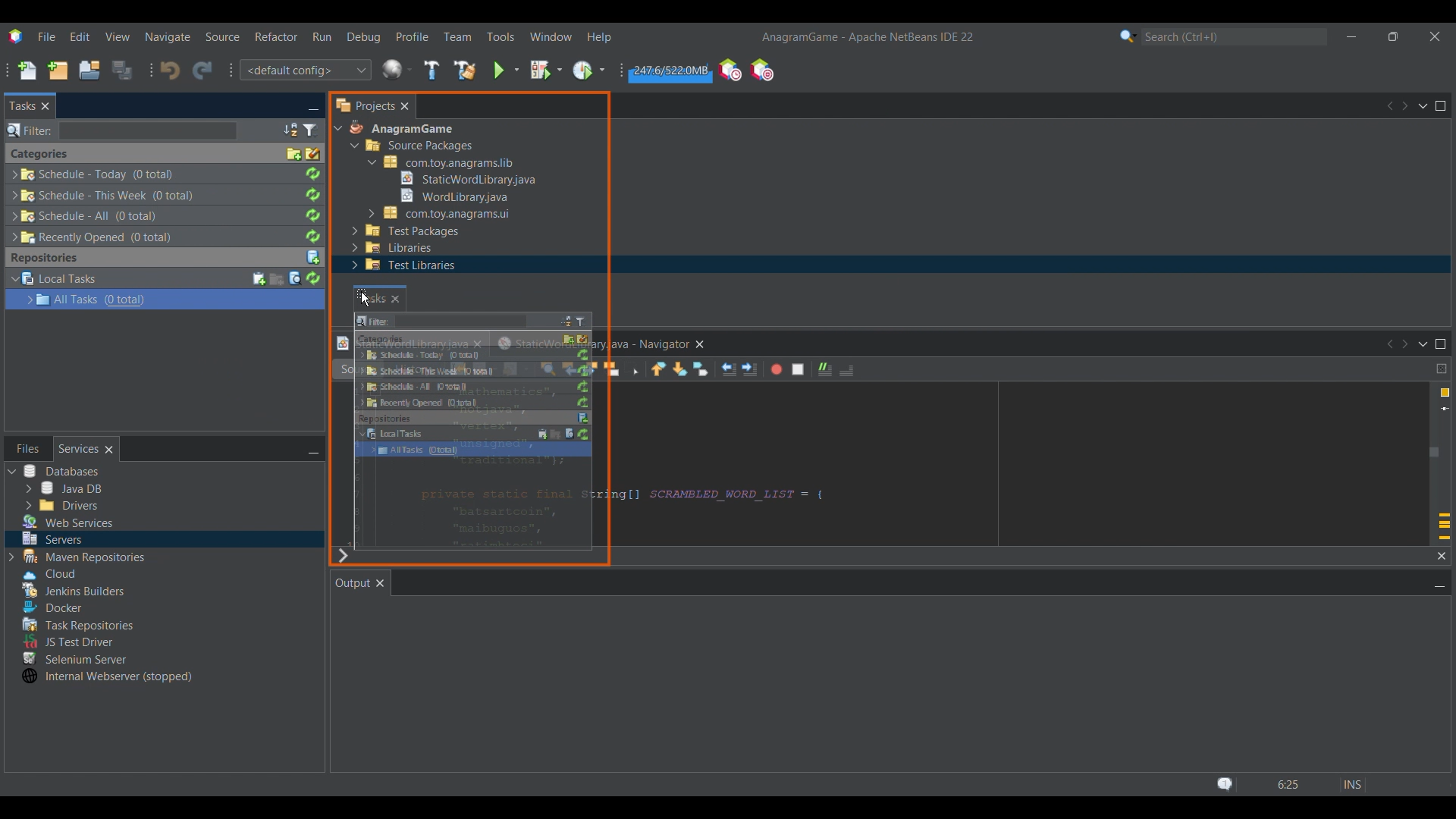 This screenshot has width=1456, height=819. Describe the element at coordinates (313, 107) in the screenshot. I see `Minimize` at that location.